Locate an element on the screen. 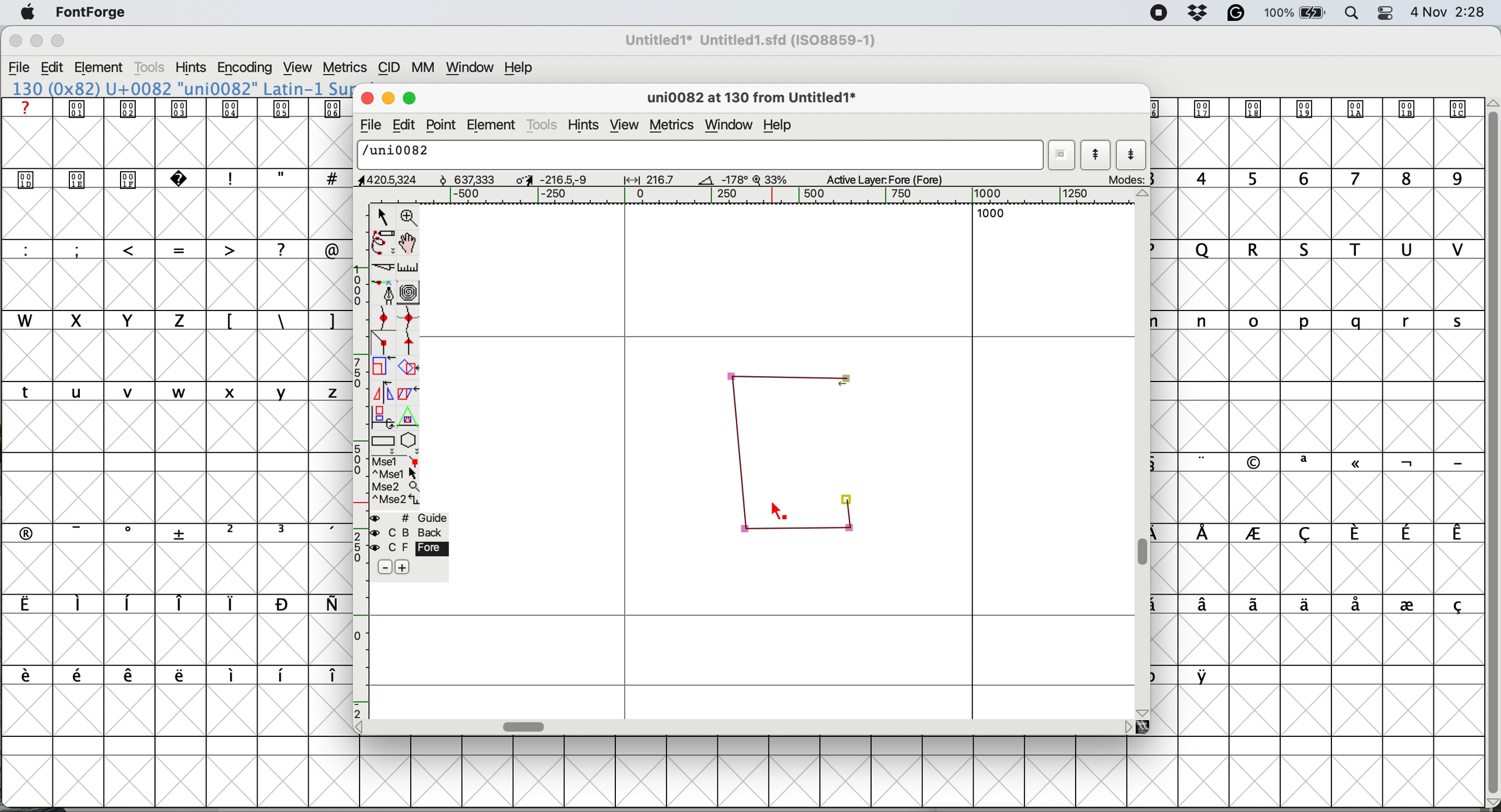 The image size is (1501, 812). vertical scroll bar is located at coordinates (1491, 448).